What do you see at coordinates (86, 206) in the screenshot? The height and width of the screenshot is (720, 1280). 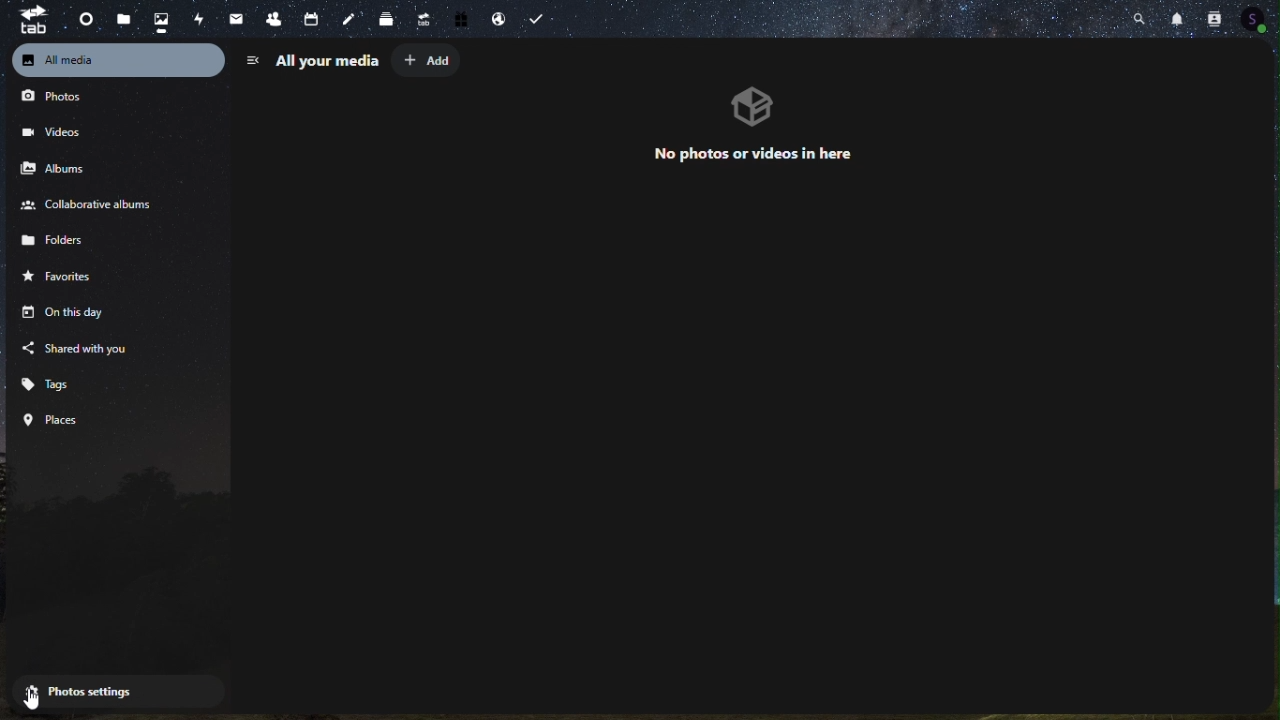 I see `Collaborative albums` at bounding box center [86, 206].